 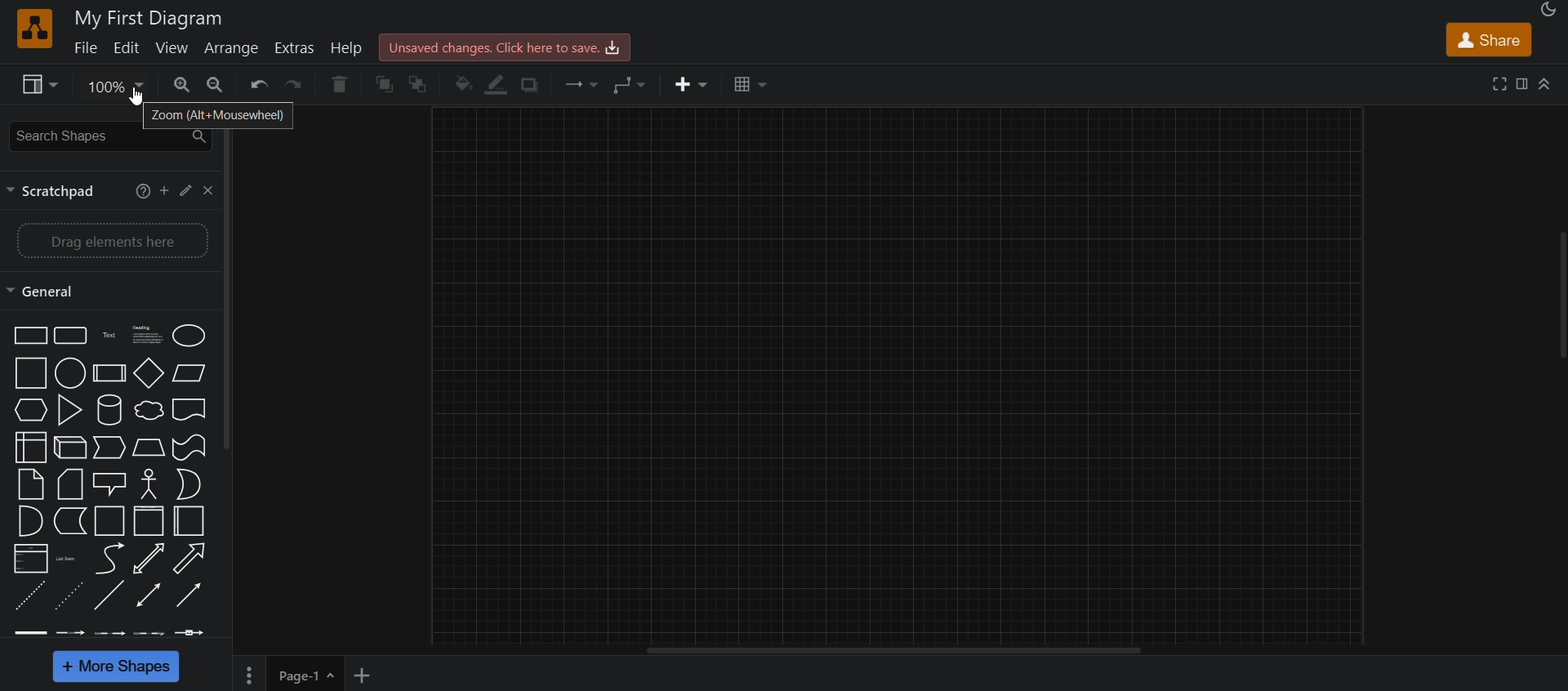 What do you see at coordinates (211, 190) in the screenshot?
I see `close` at bounding box center [211, 190].